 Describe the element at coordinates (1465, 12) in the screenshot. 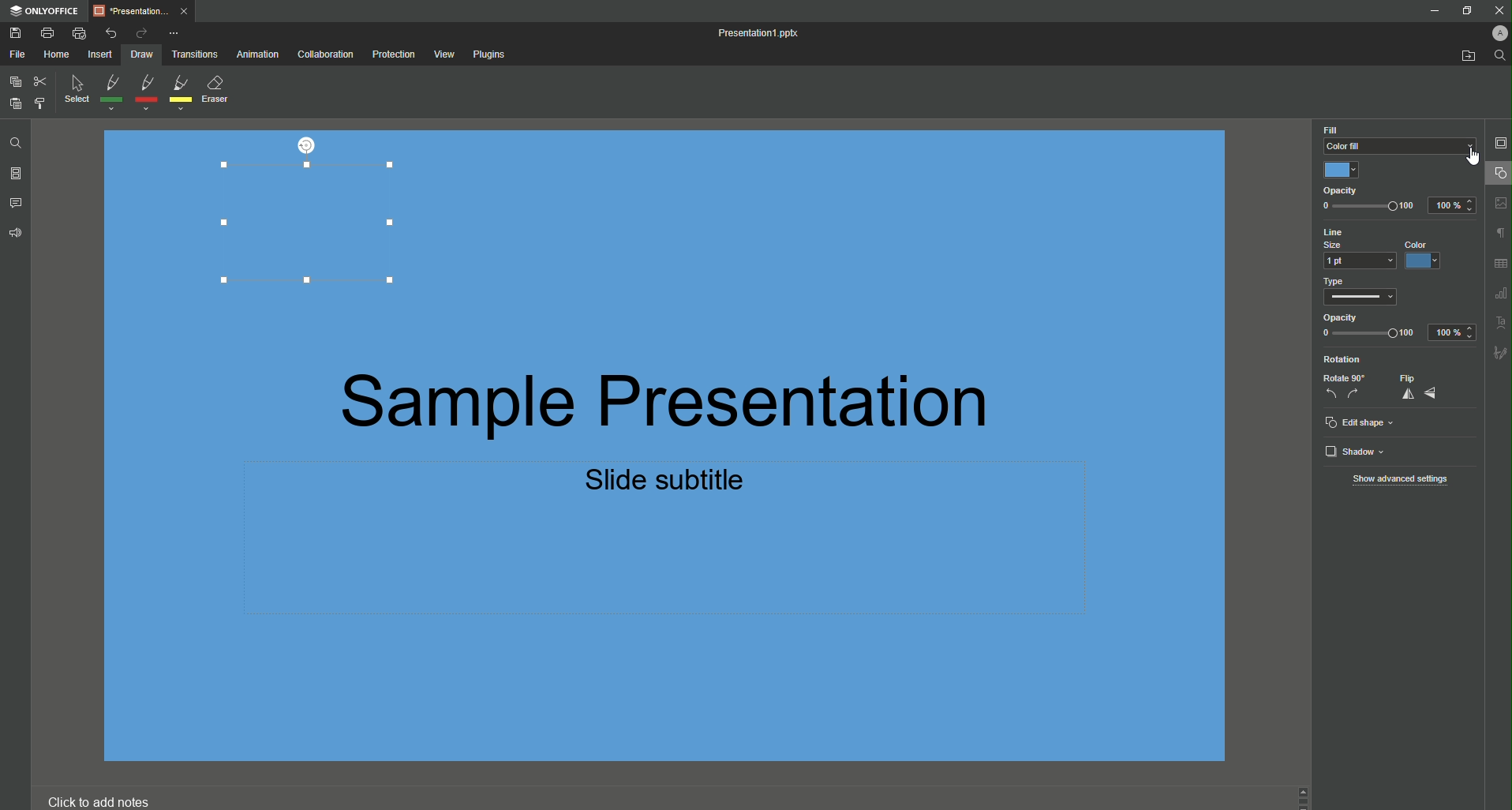

I see `Restore` at that location.